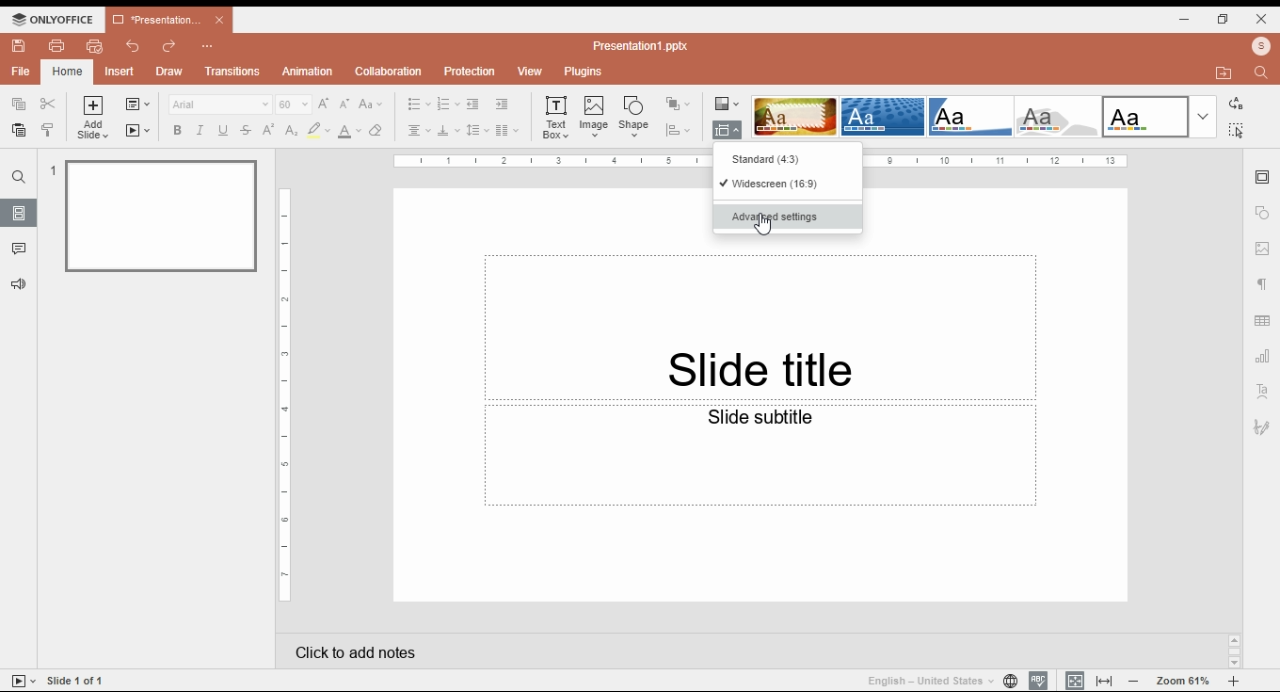  What do you see at coordinates (529, 72) in the screenshot?
I see `view` at bounding box center [529, 72].